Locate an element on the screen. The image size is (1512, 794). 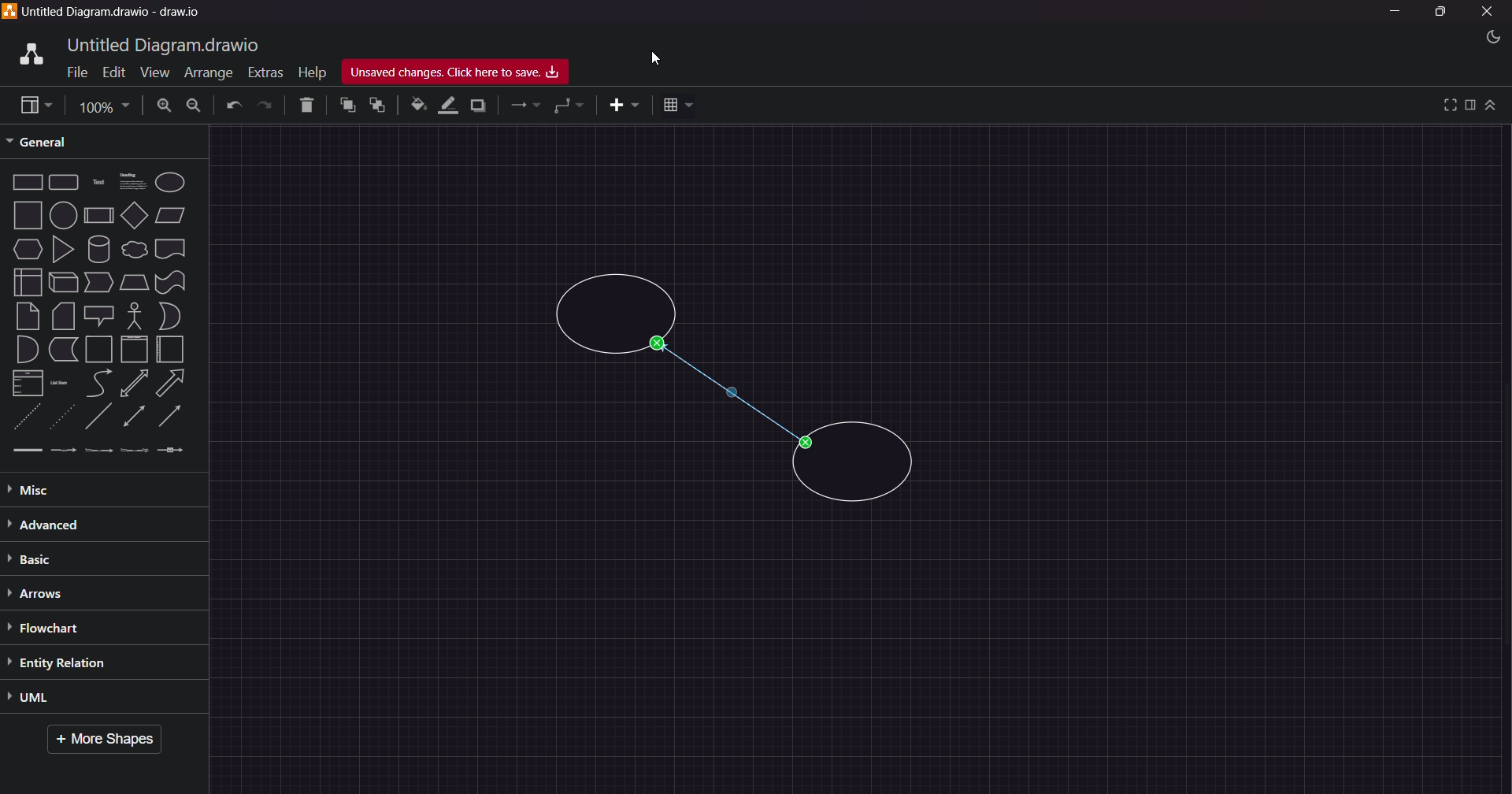
Unsaved Changes, Click here to Save is located at coordinates (462, 72).